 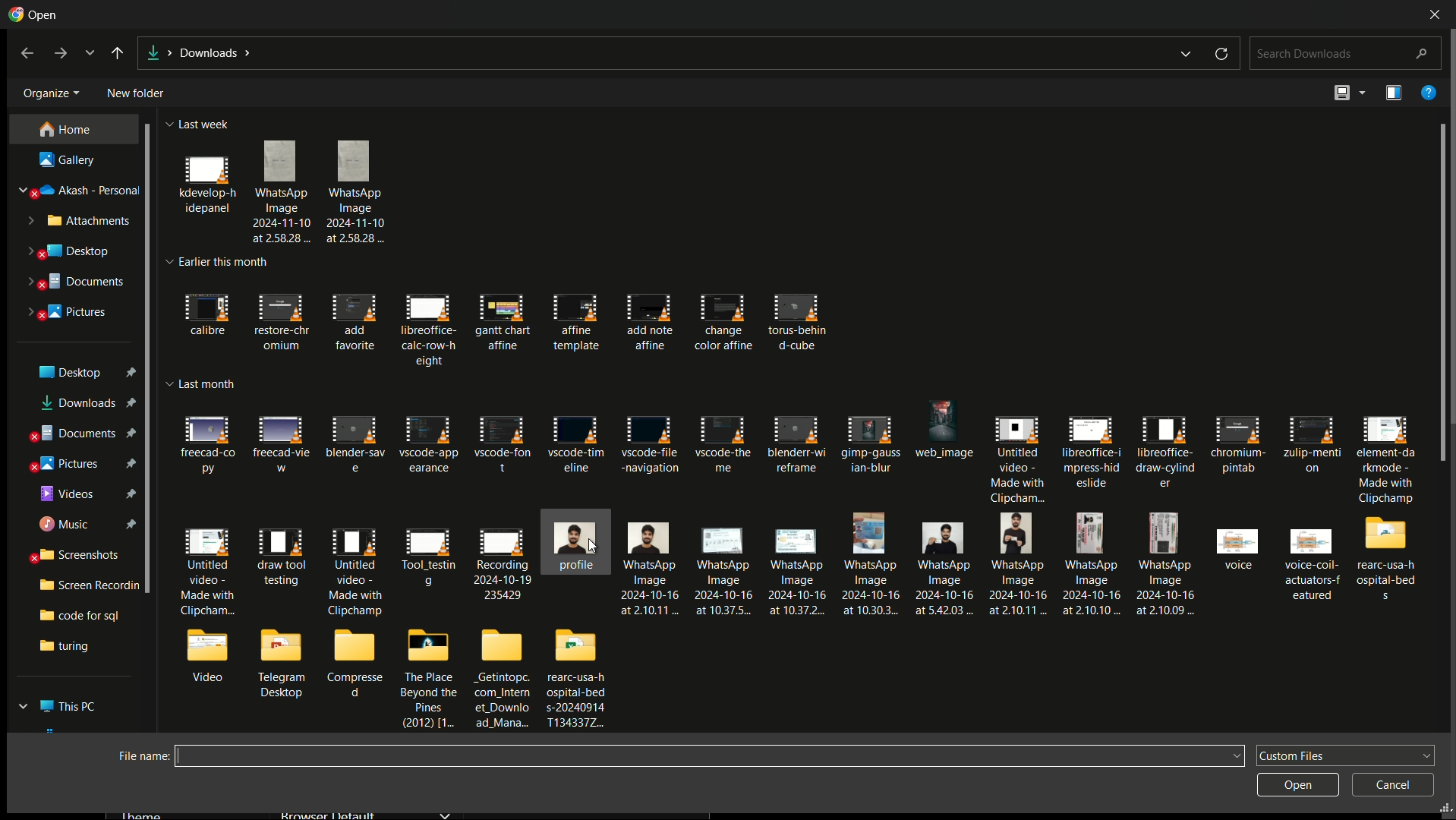 I want to click on preview the pane, so click(x=1395, y=92).